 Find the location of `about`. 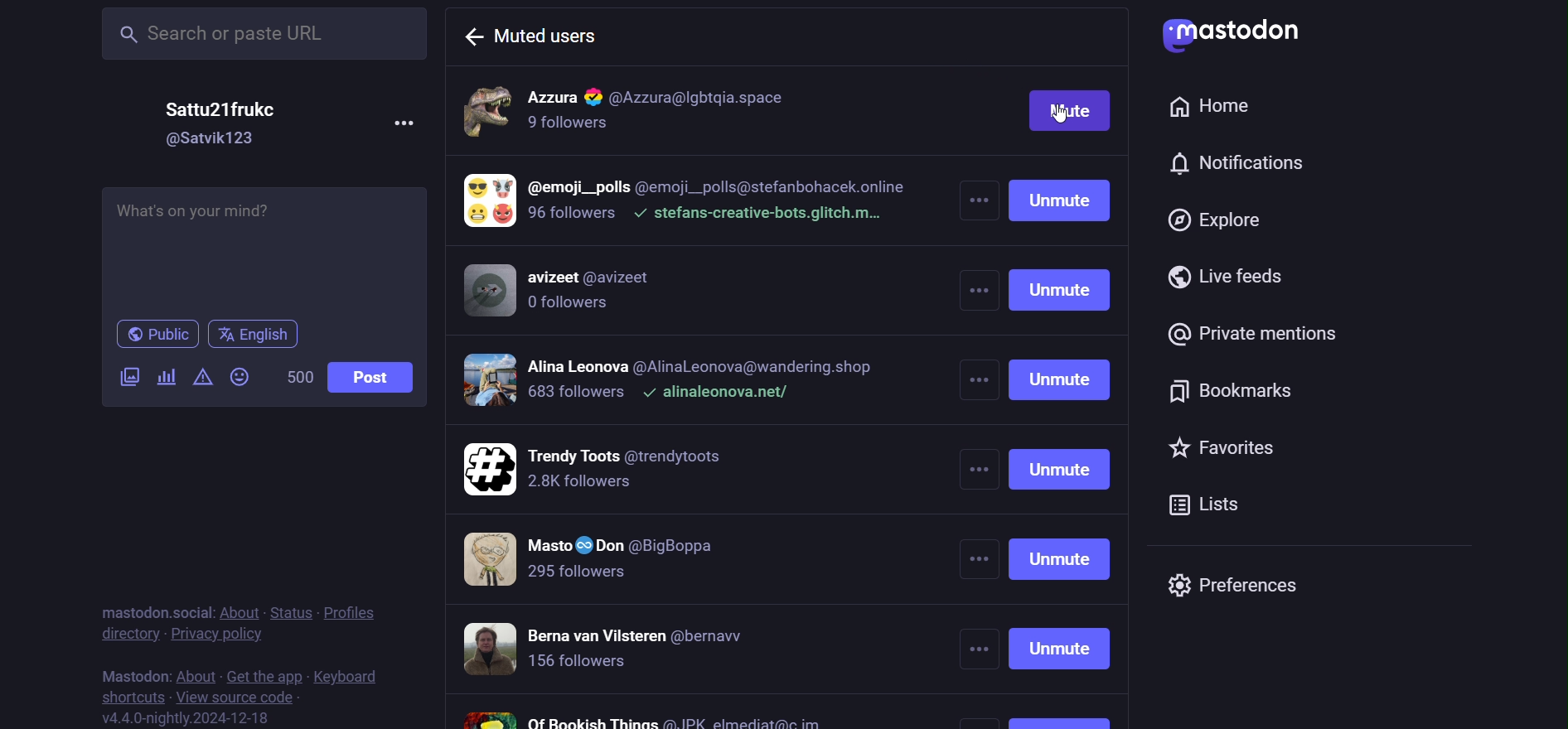

about is located at coordinates (240, 608).